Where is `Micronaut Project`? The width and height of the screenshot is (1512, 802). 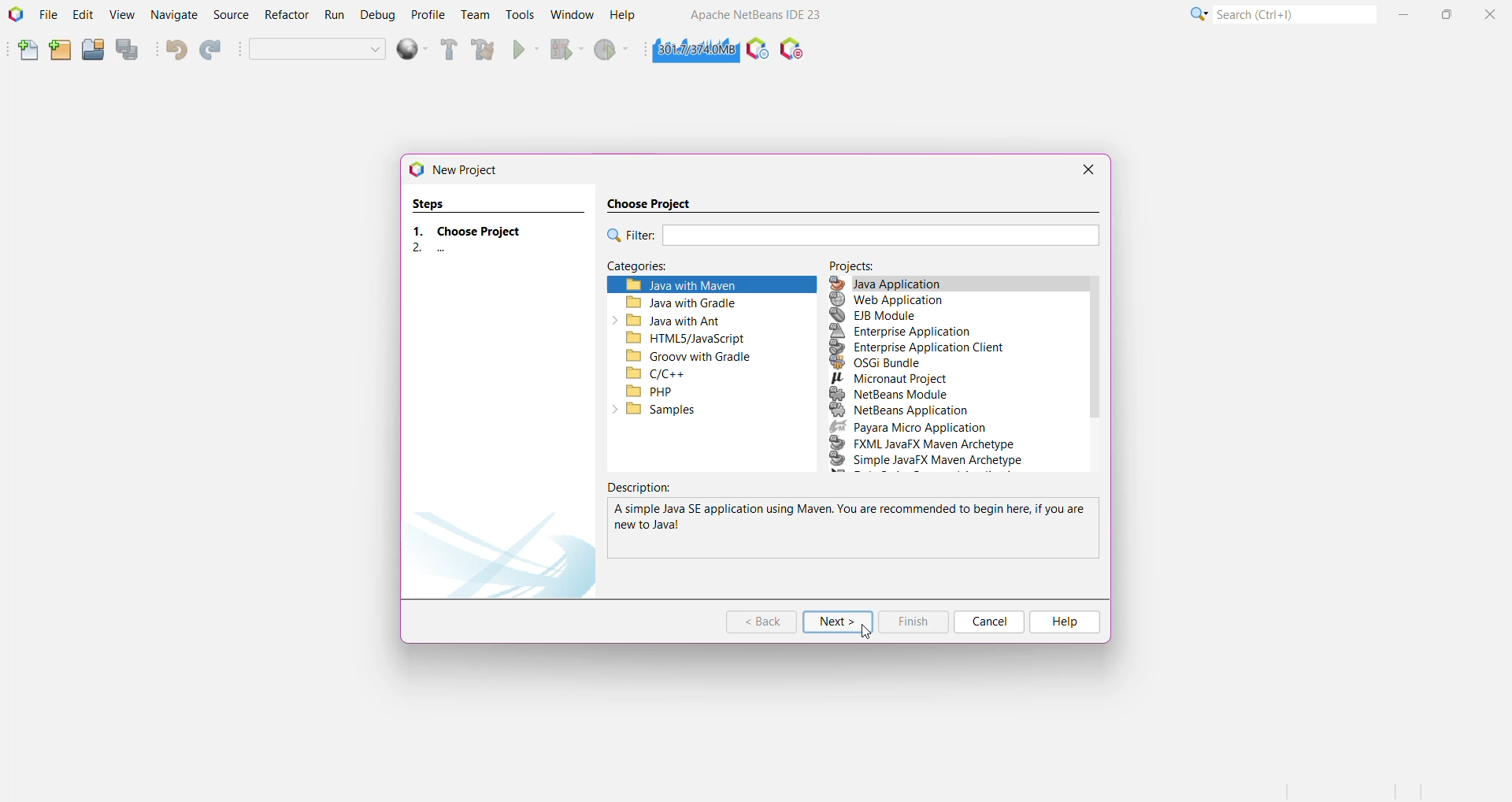
Micronaut Project is located at coordinates (913, 380).